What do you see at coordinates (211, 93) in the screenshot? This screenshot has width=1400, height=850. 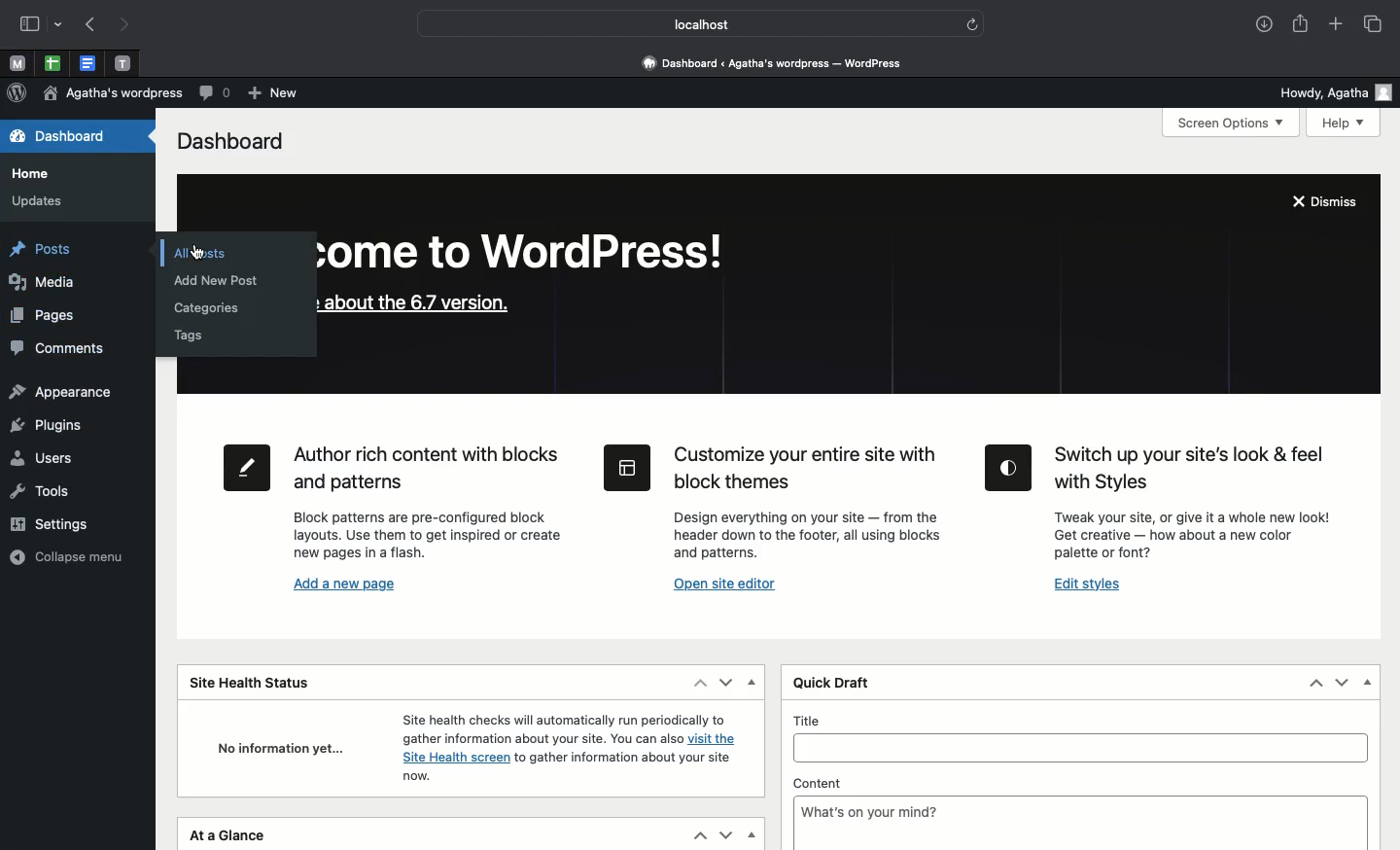 I see `Comment` at bounding box center [211, 93].